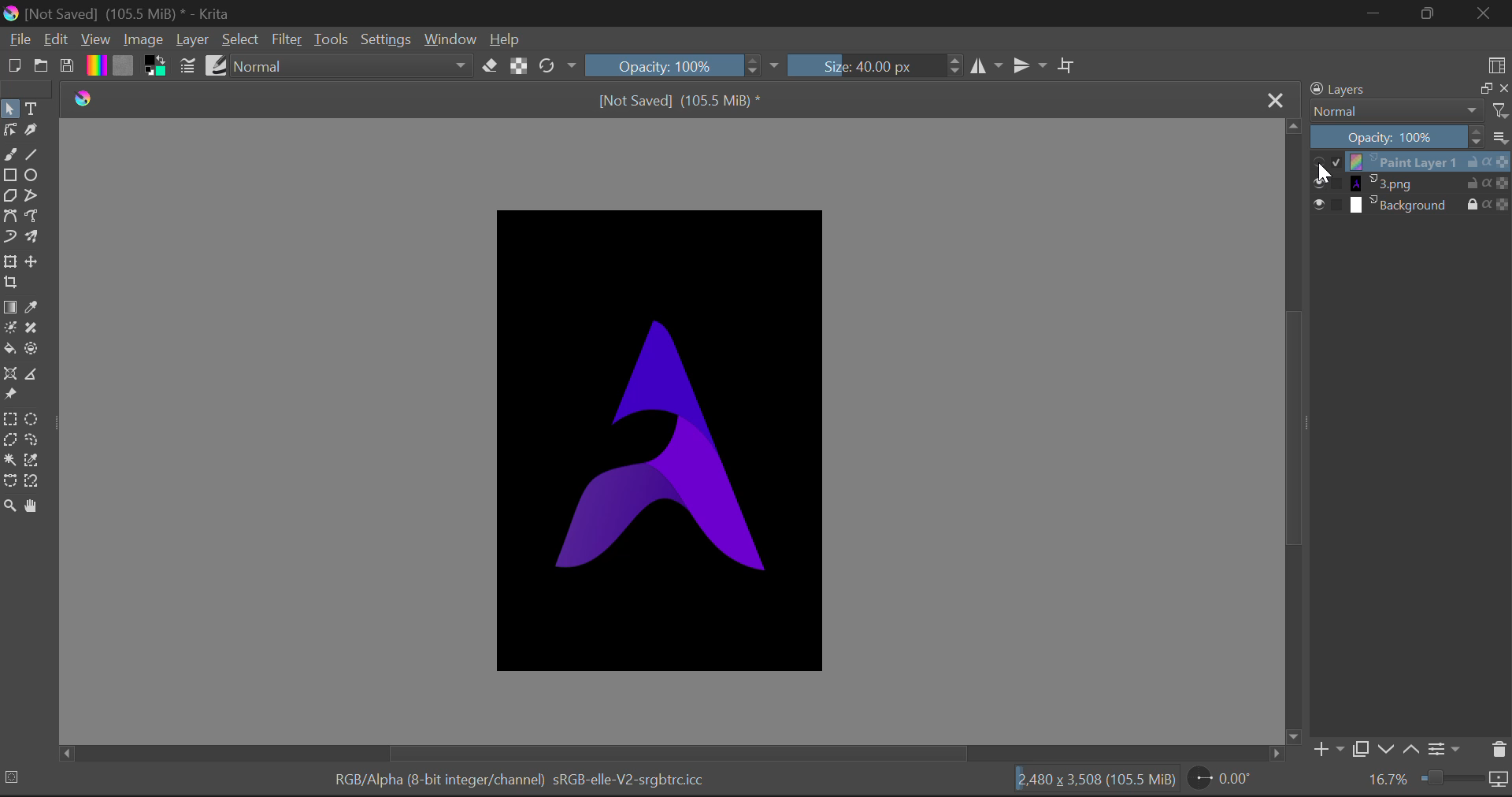  I want to click on Brush Settings, so click(189, 65).